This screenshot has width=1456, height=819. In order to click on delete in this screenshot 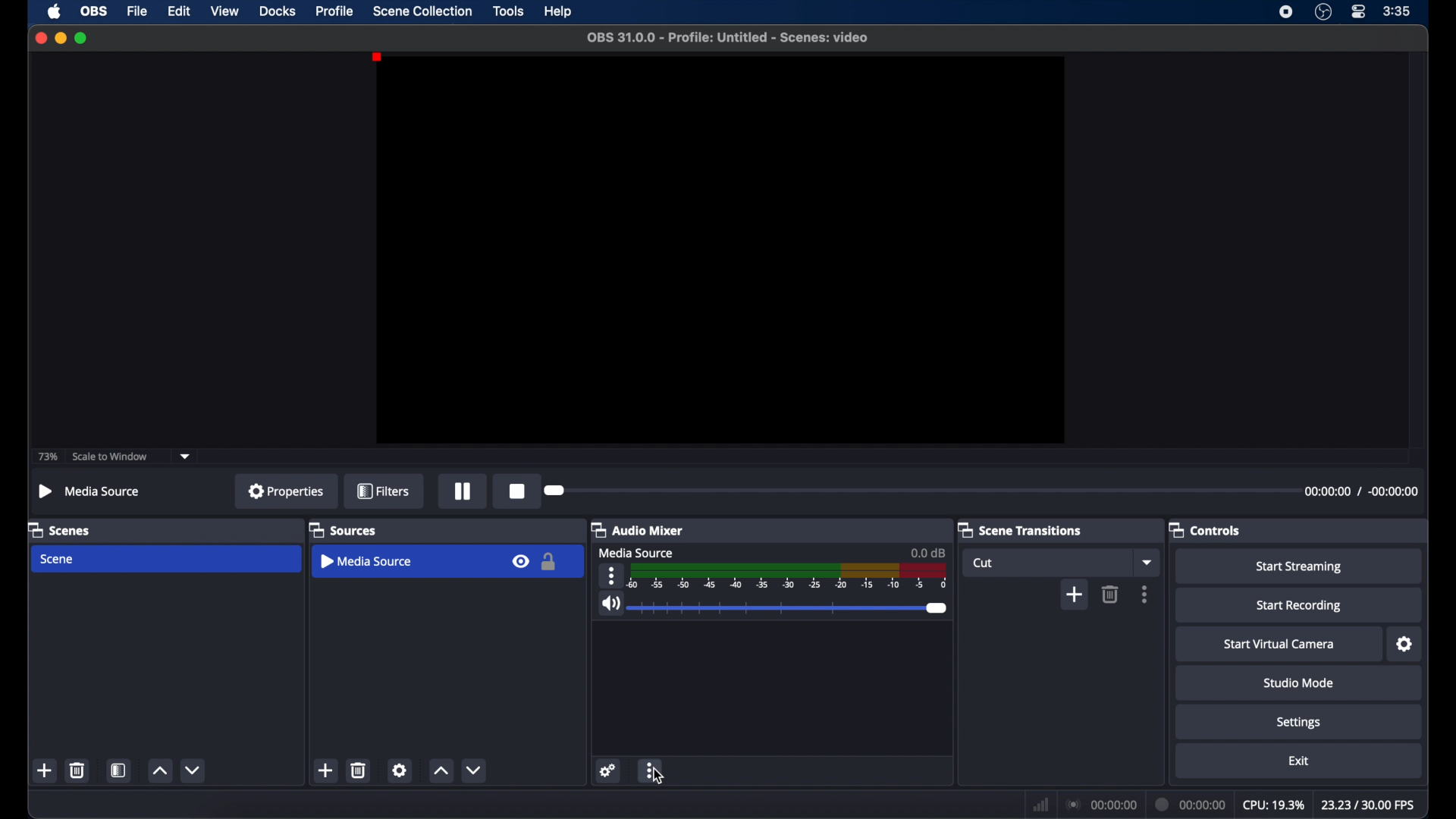, I will do `click(78, 770)`.